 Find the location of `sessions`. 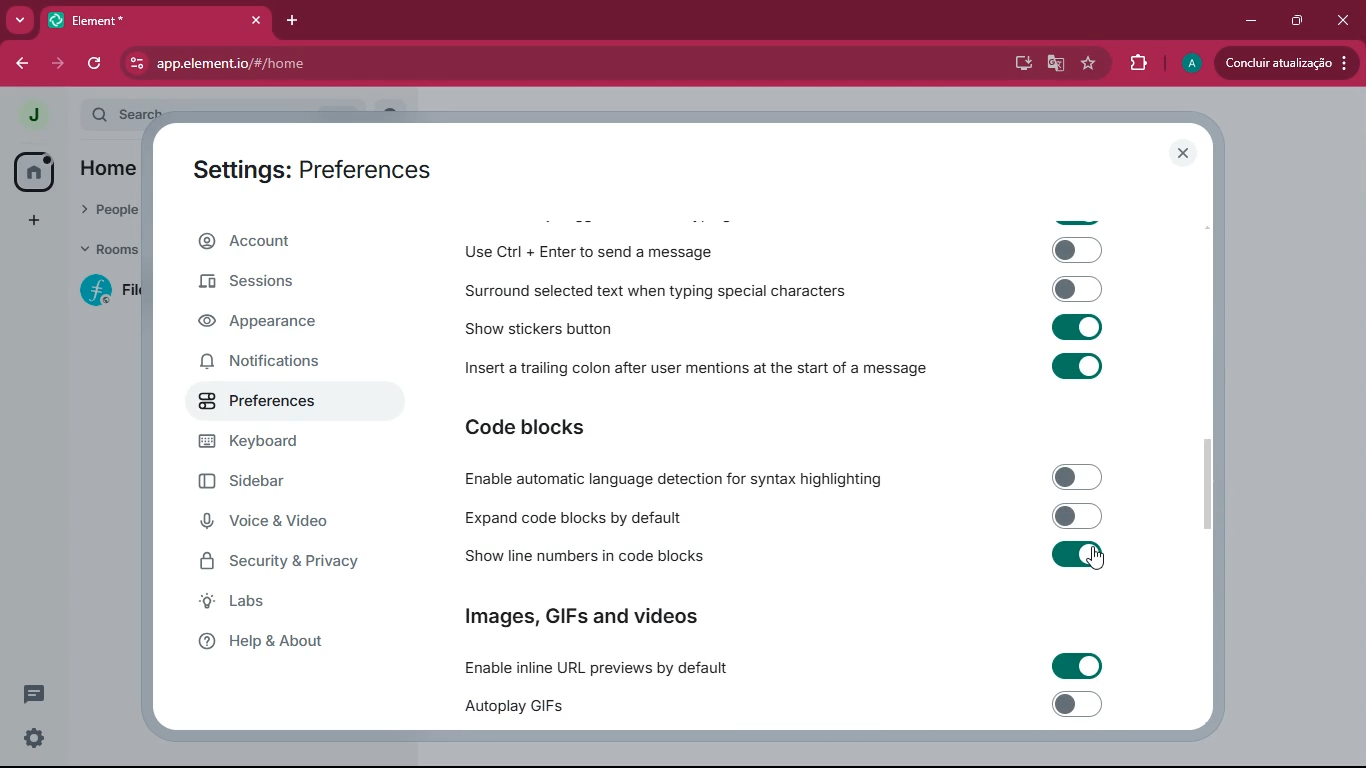

sessions is located at coordinates (281, 282).